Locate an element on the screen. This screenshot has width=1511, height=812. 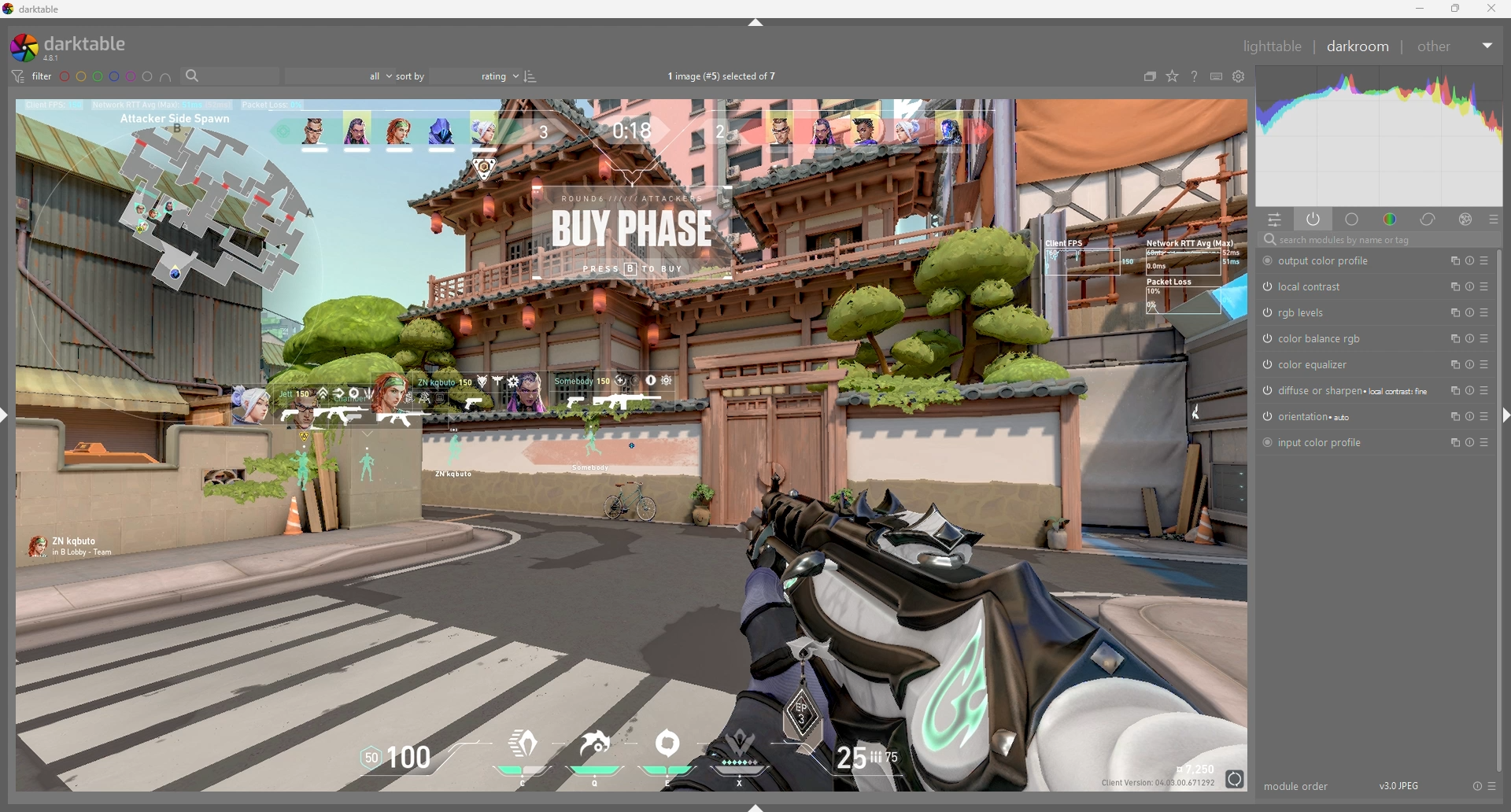
multiple instances actions is located at coordinates (1450, 390).